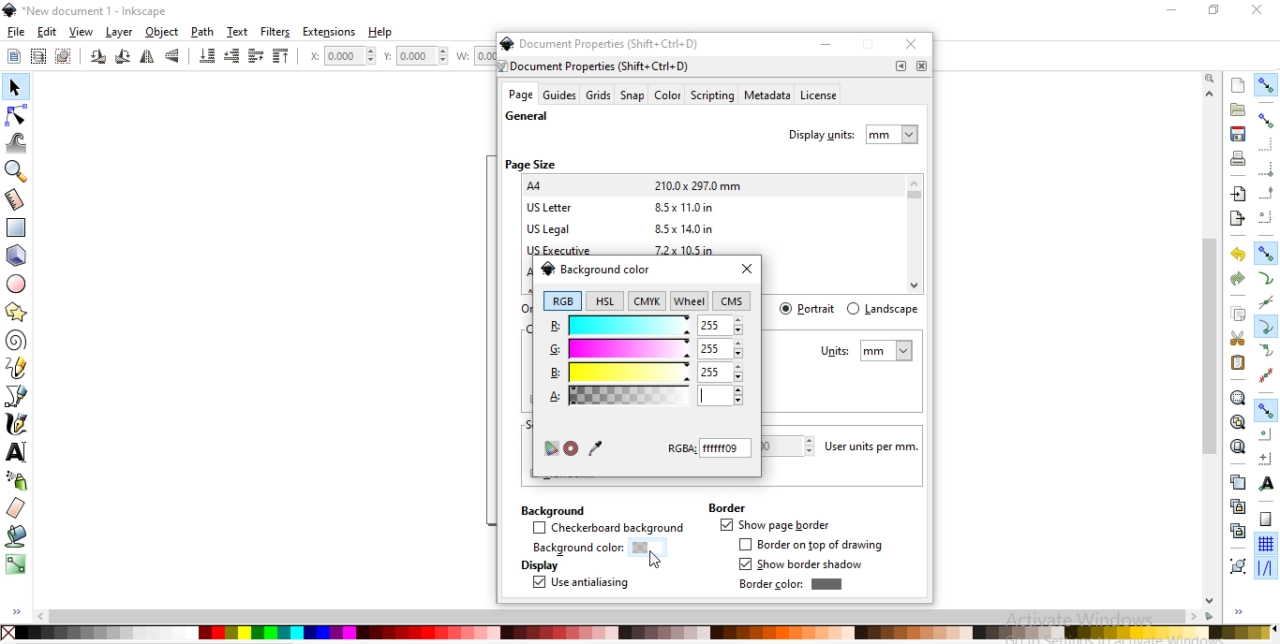  Describe the element at coordinates (826, 44) in the screenshot. I see `minimize` at that location.